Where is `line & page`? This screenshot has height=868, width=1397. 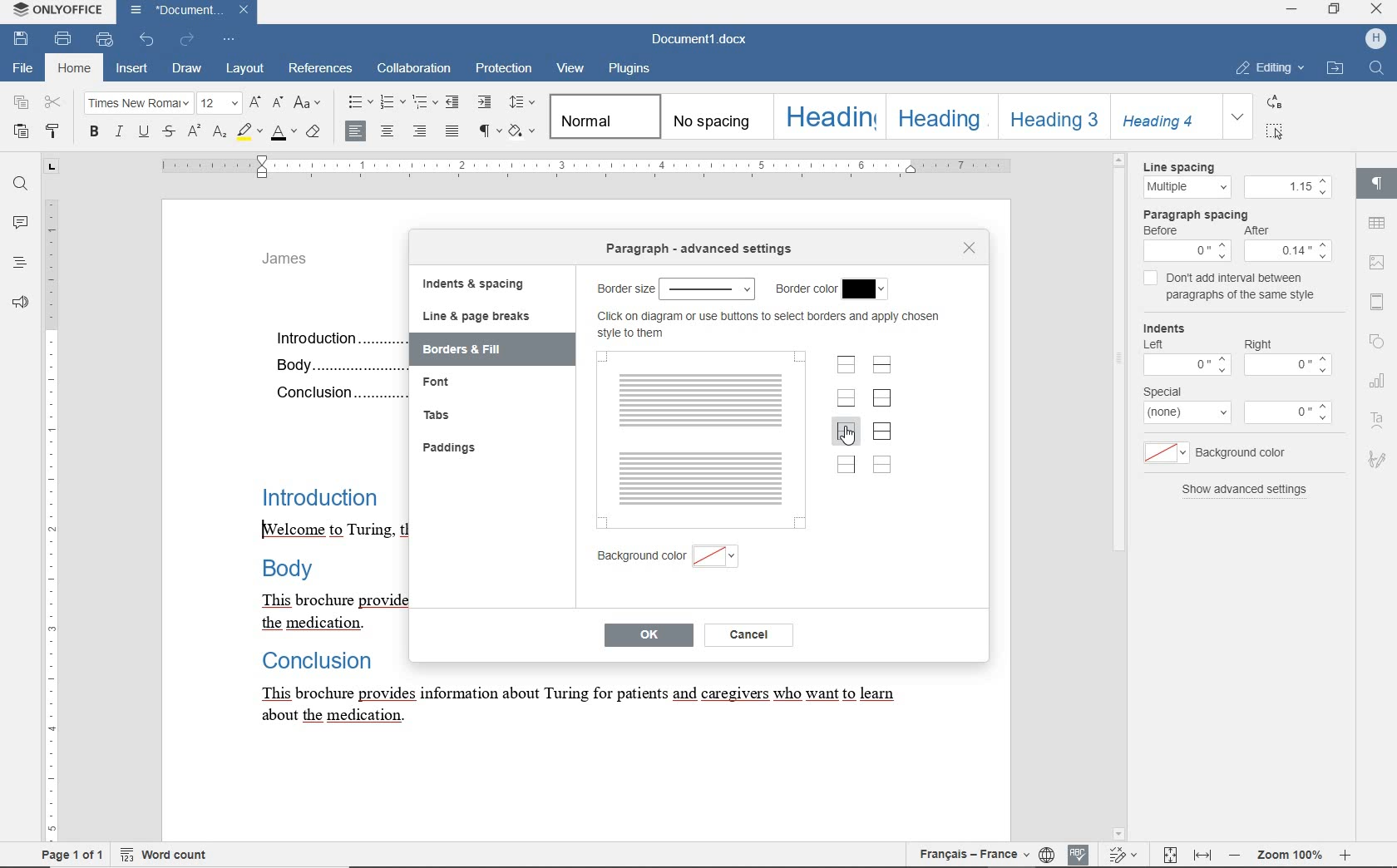 line & page is located at coordinates (476, 316).